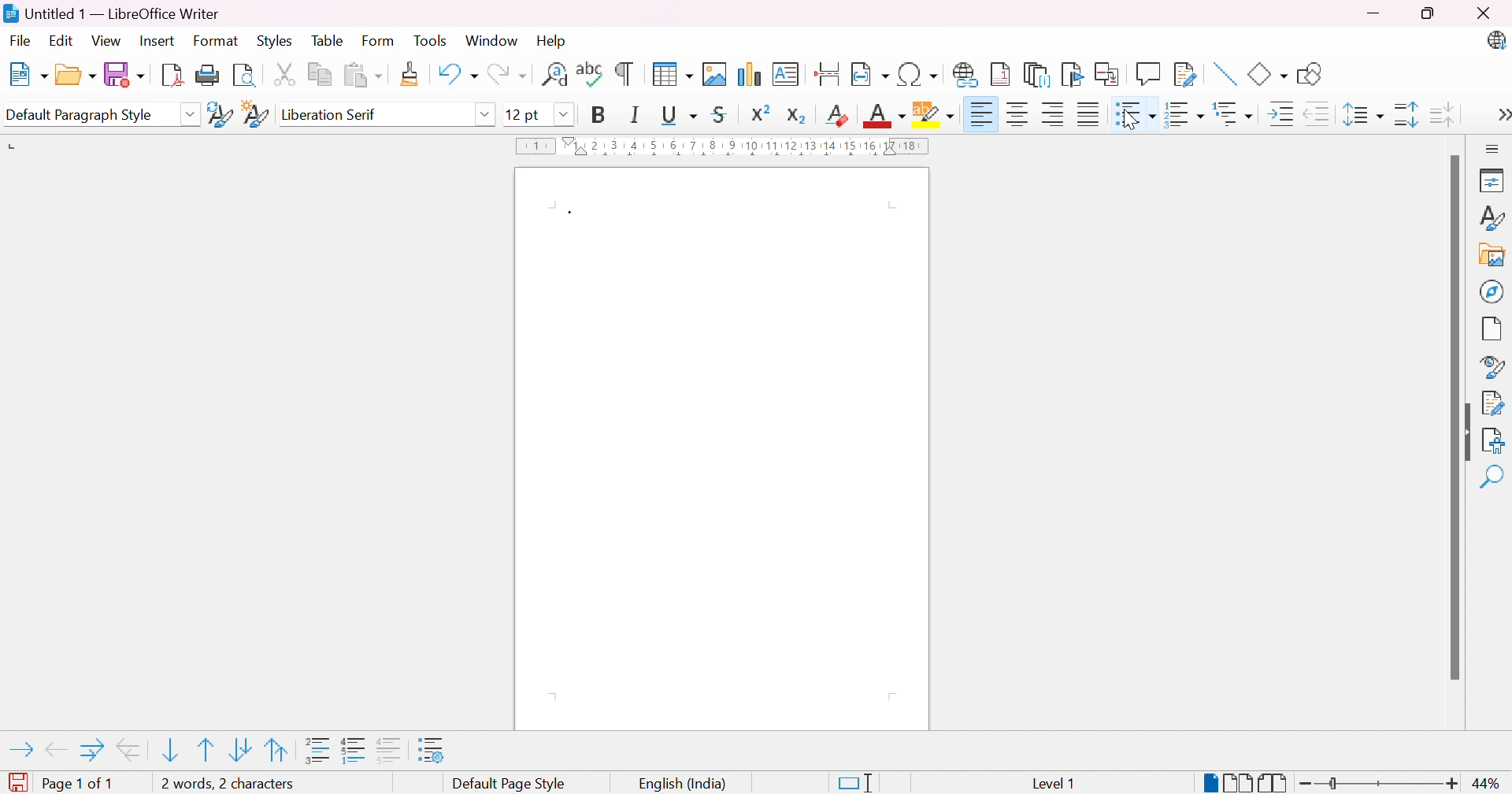 The image size is (1512, 794). Describe the element at coordinates (672, 74) in the screenshot. I see `Insert table` at that location.